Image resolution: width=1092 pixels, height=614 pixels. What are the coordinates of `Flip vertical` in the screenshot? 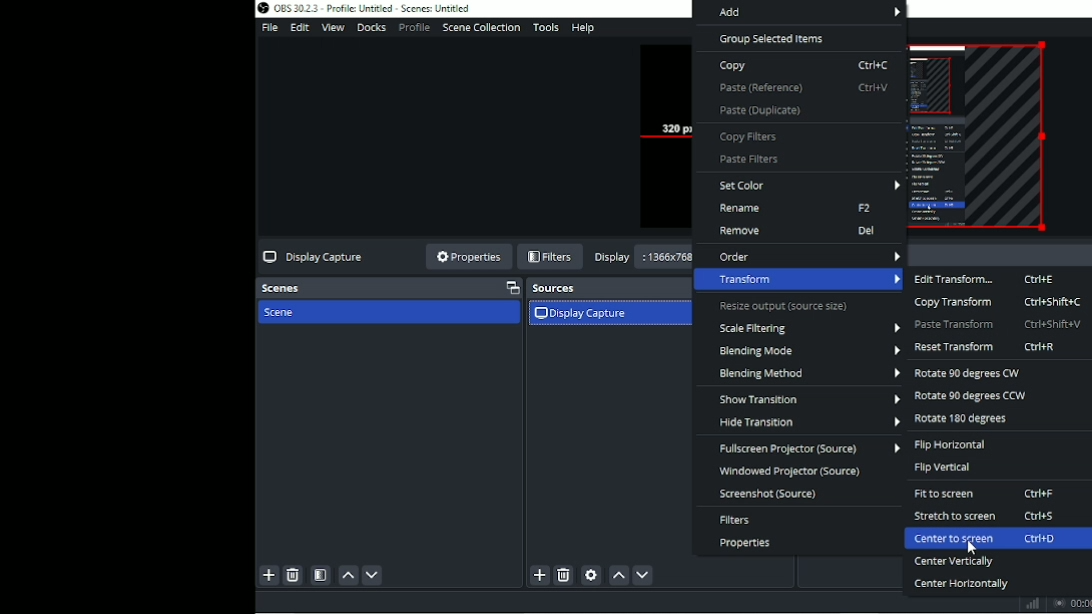 It's located at (945, 467).